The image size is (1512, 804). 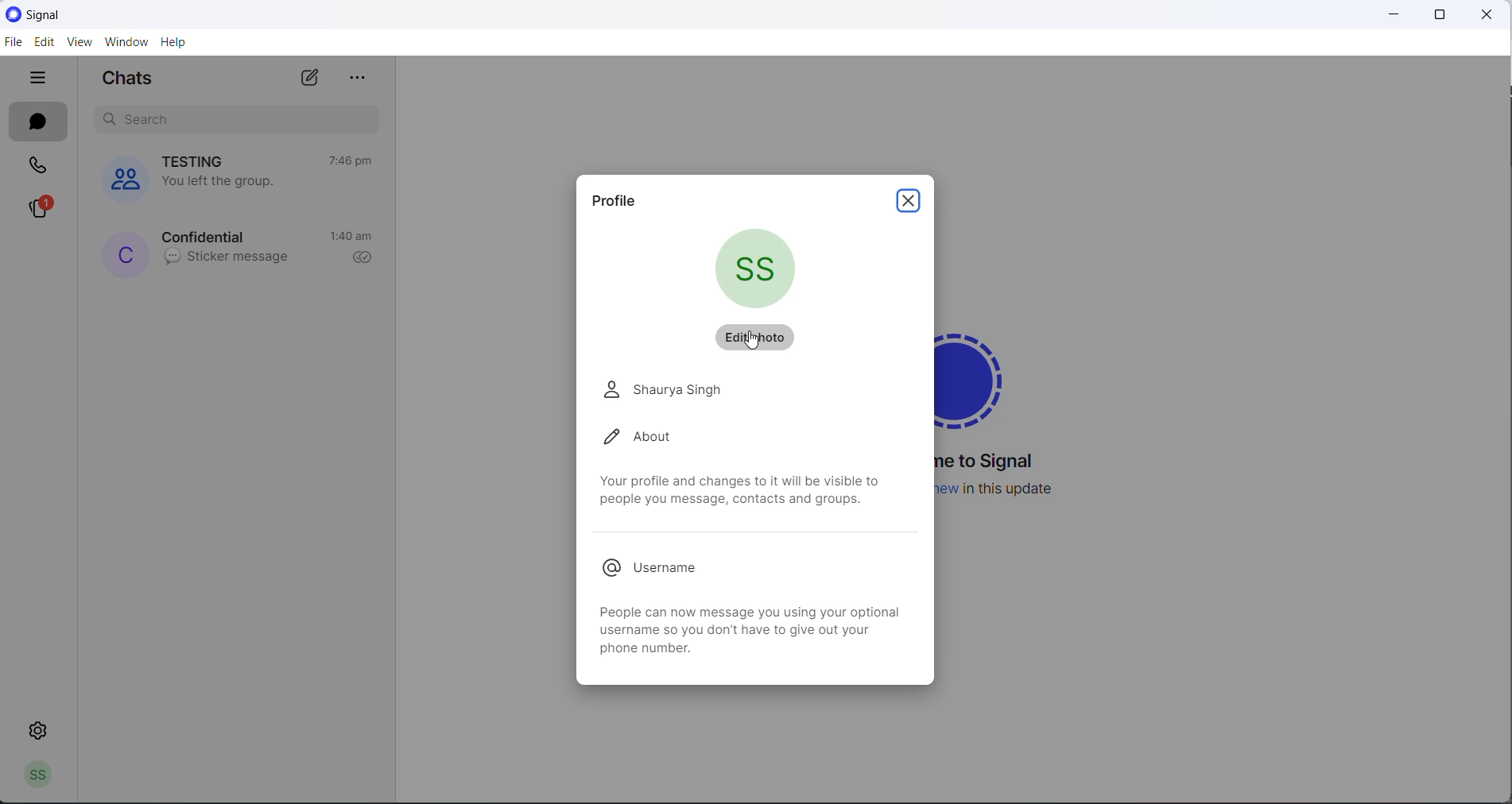 What do you see at coordinates (354, 161) in the screenshot?
I see `last active time` at bounding box center [354, 161].